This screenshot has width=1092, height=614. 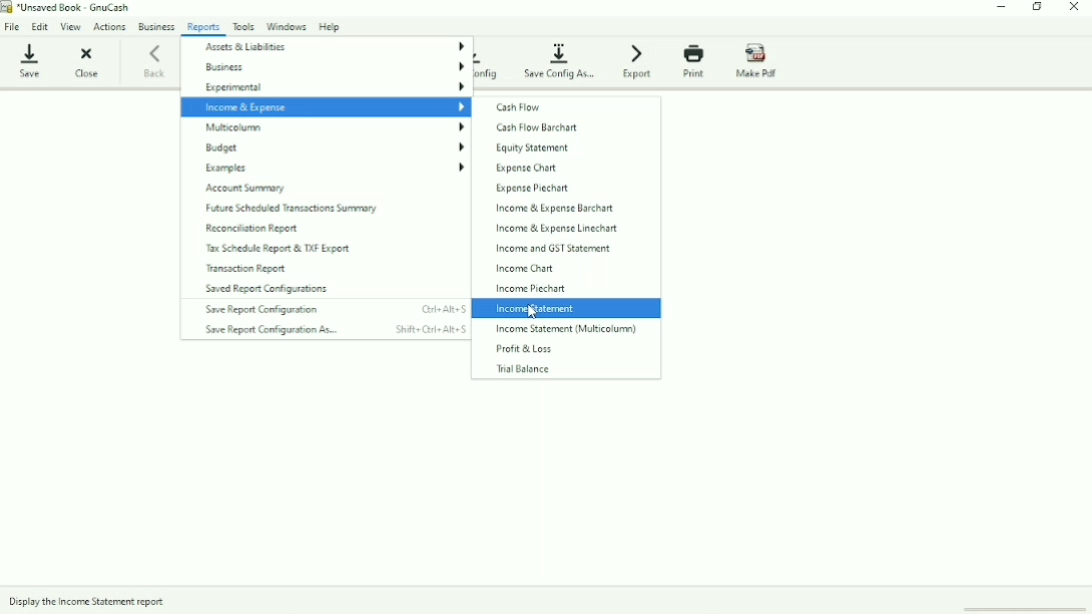 I want to click on View, so click(x=72, y=27).